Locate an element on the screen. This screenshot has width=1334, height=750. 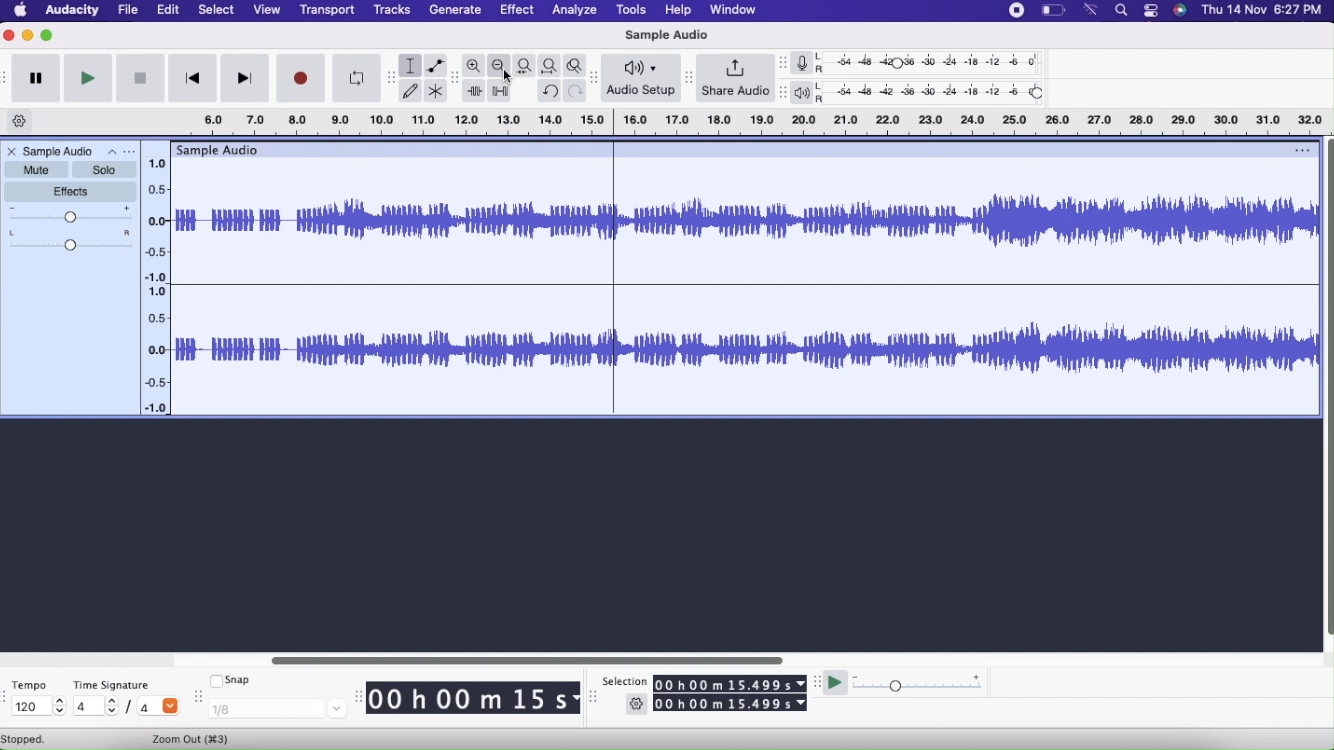
Skip to start is located at coordinates (193, 78).